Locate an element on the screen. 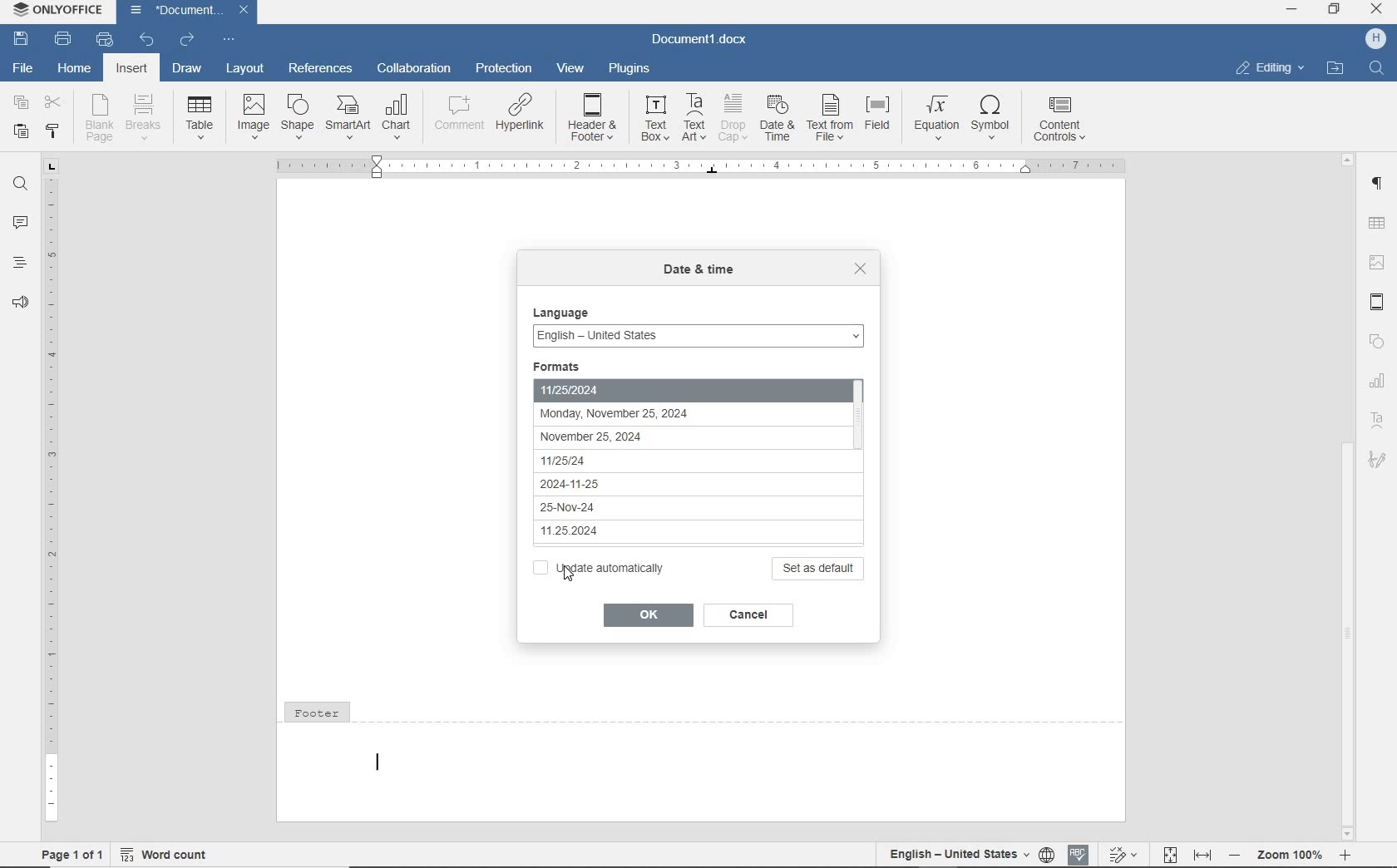  draw is located at coordinates (186, 70).